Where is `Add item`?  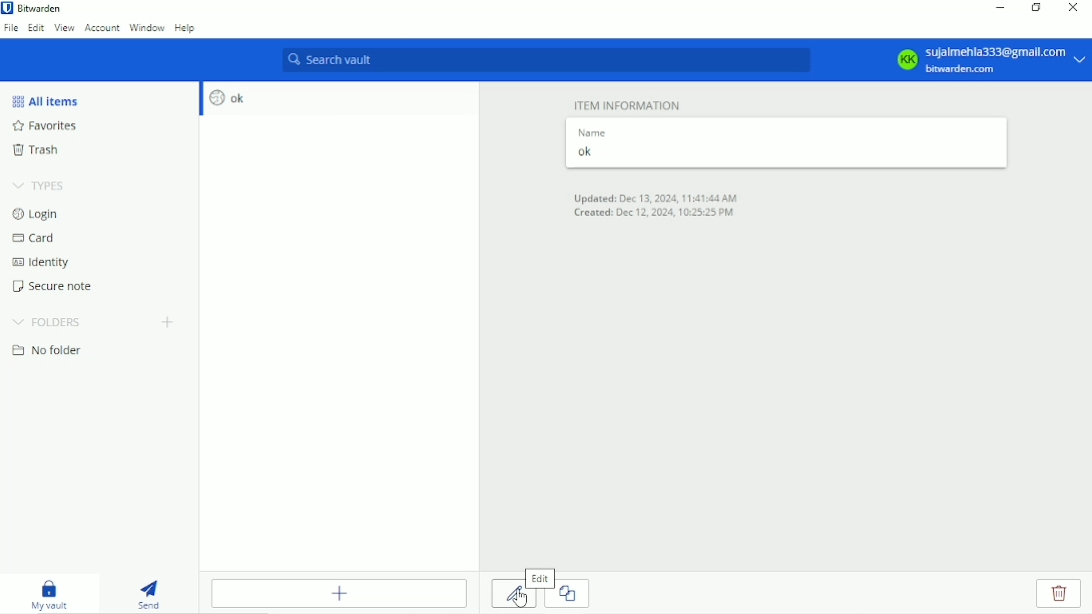
Add item is located at coordinates (337, 593).